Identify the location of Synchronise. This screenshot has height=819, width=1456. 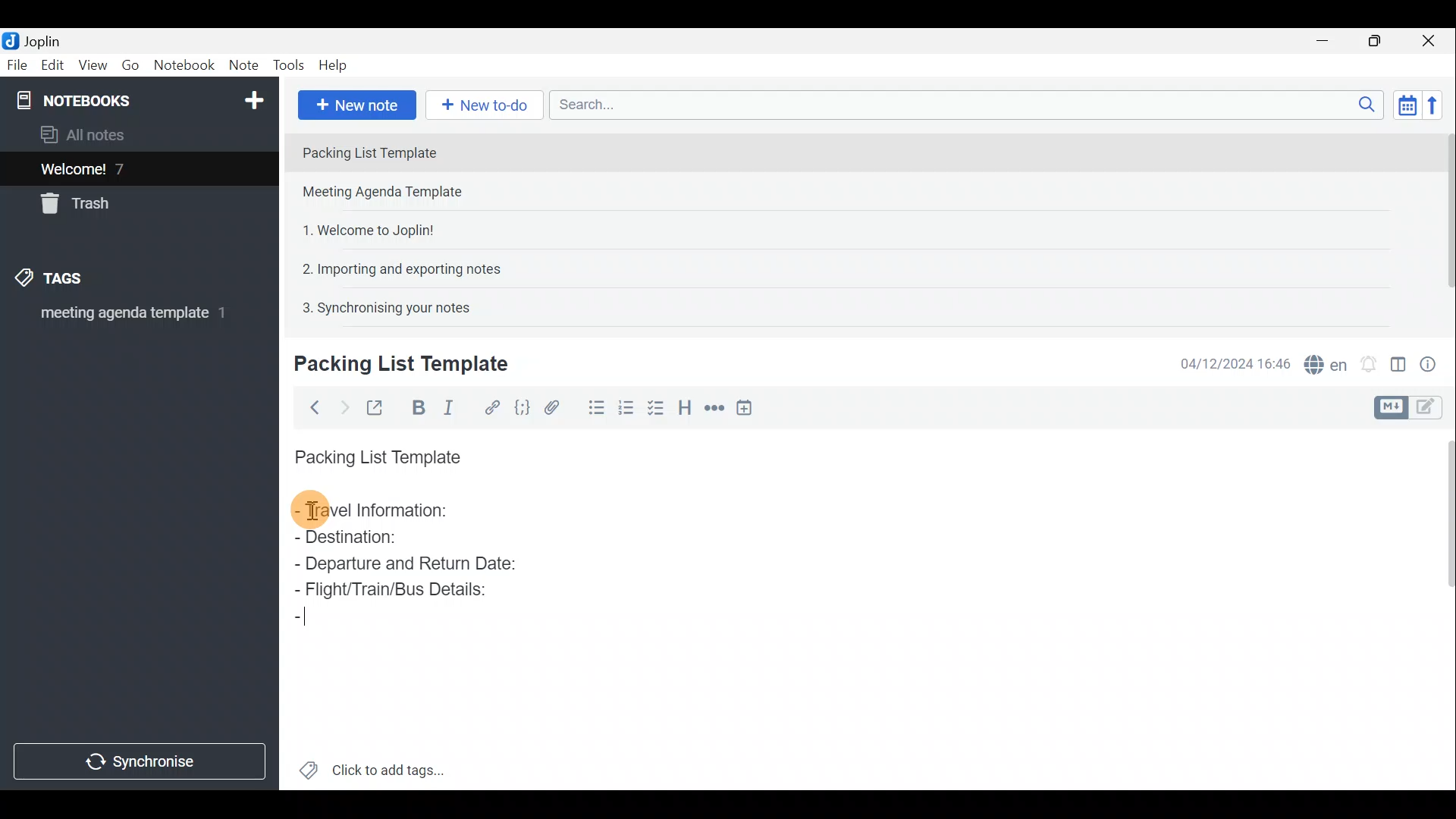
(142, 764).